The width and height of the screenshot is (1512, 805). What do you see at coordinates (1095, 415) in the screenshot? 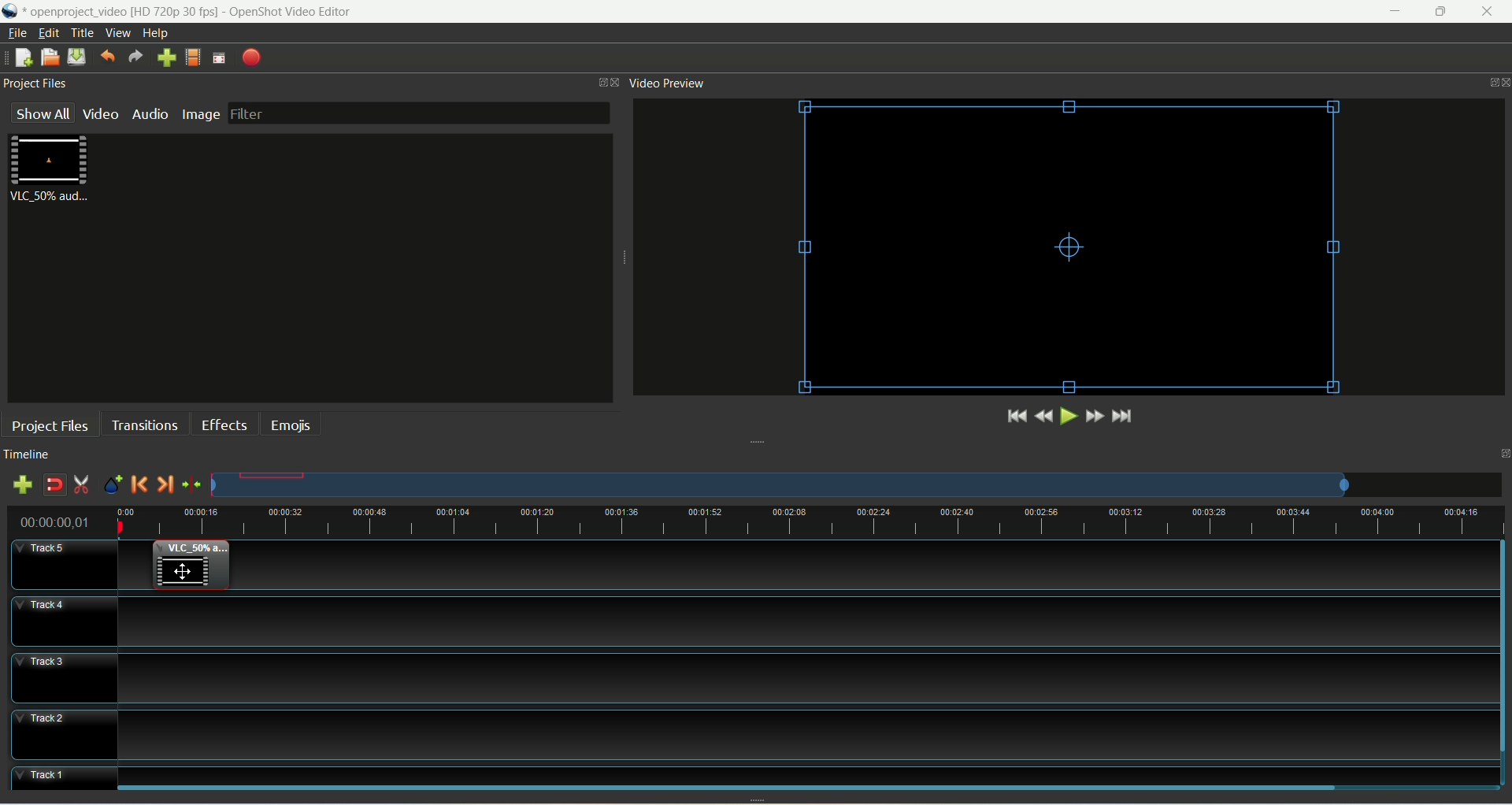
I see `fast forward` at bounding box center [1095, 415].